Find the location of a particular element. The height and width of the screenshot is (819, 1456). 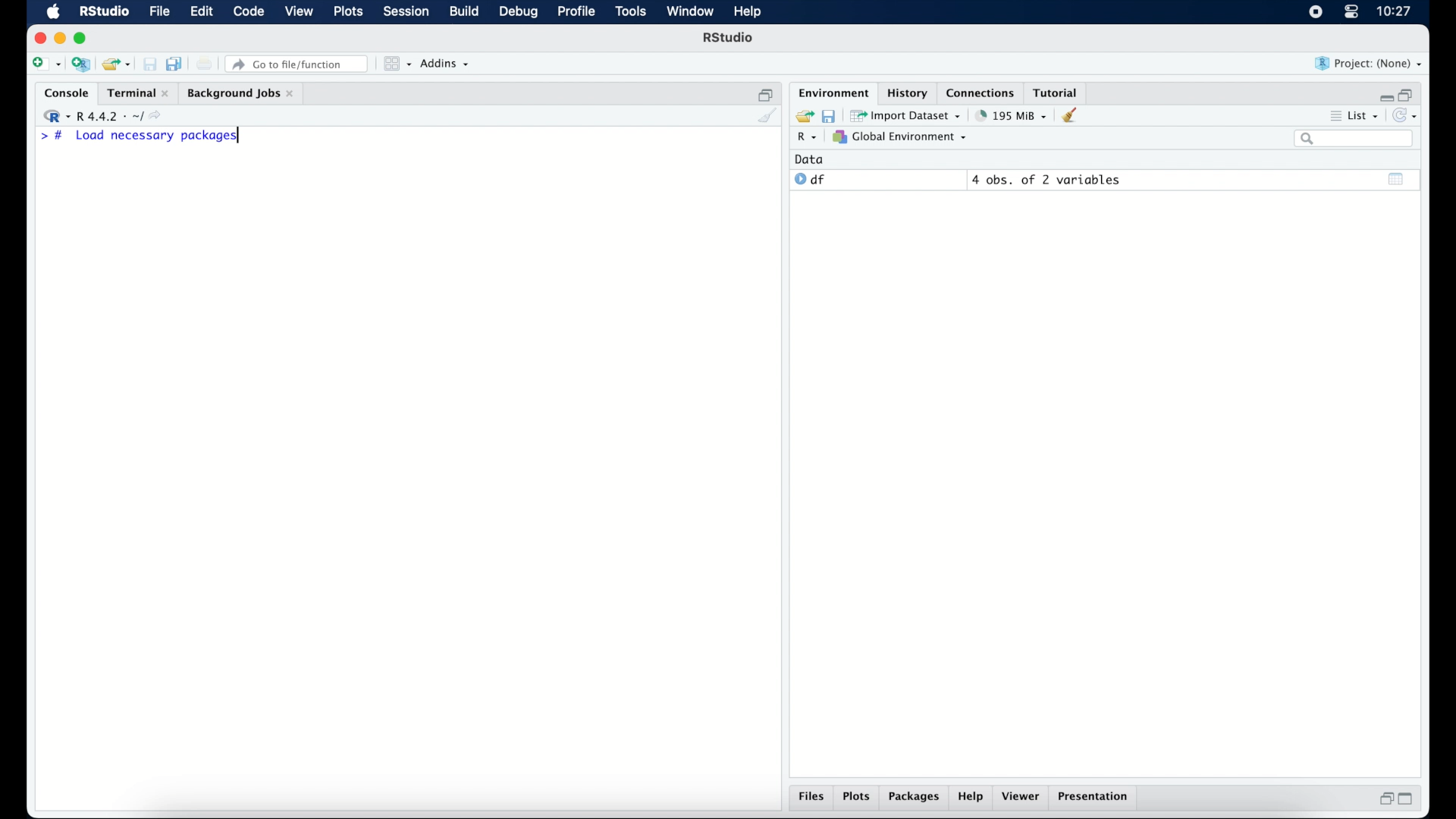

build is located at coordinates (463, 12).